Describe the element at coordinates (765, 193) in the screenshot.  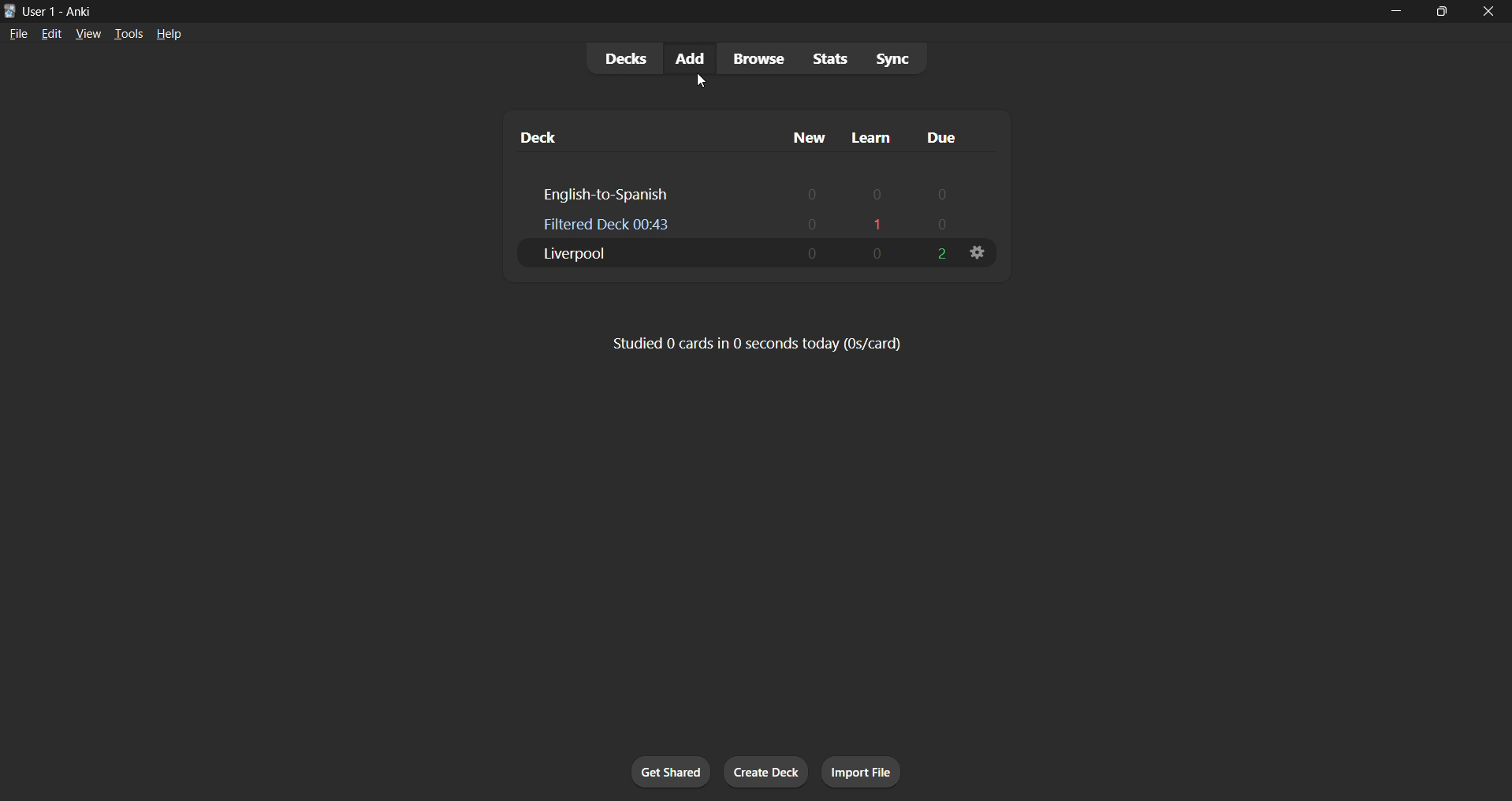
I see `english-to-spanish deck data` at that location.